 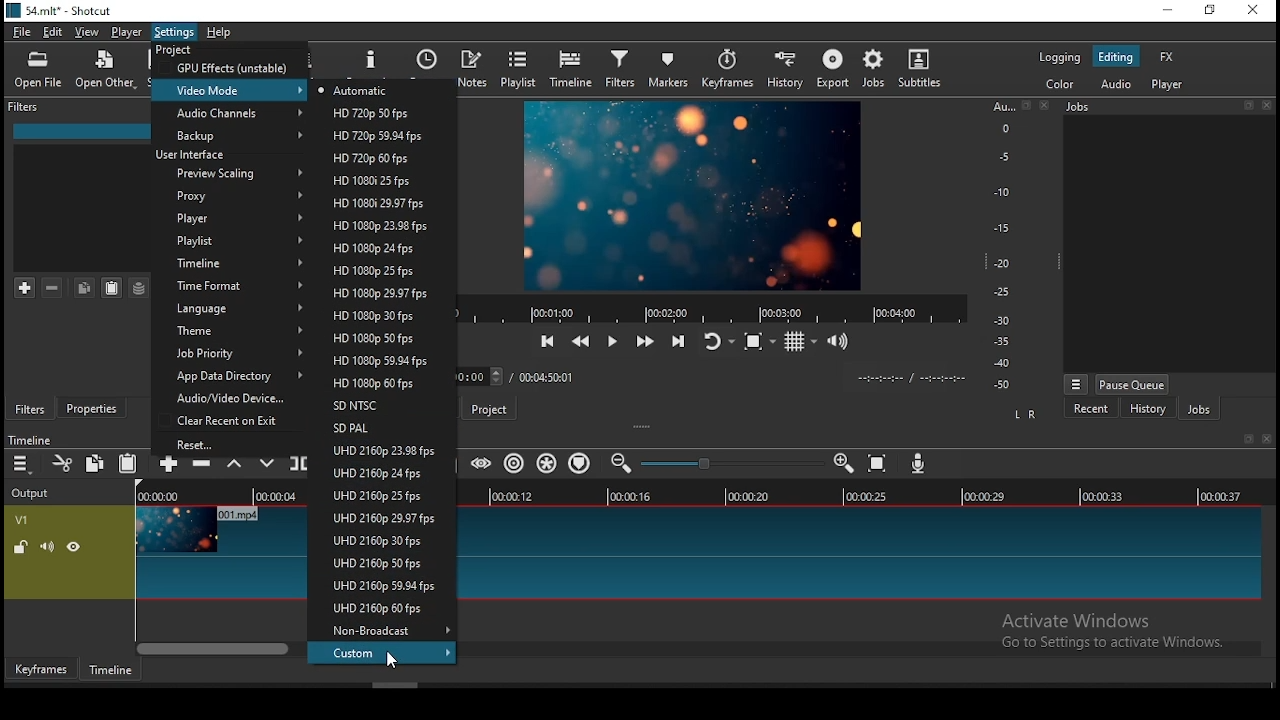 What do you see at coordinates (89, 34) in the screenshot?
I see `view` at bounding box center [89, 34].